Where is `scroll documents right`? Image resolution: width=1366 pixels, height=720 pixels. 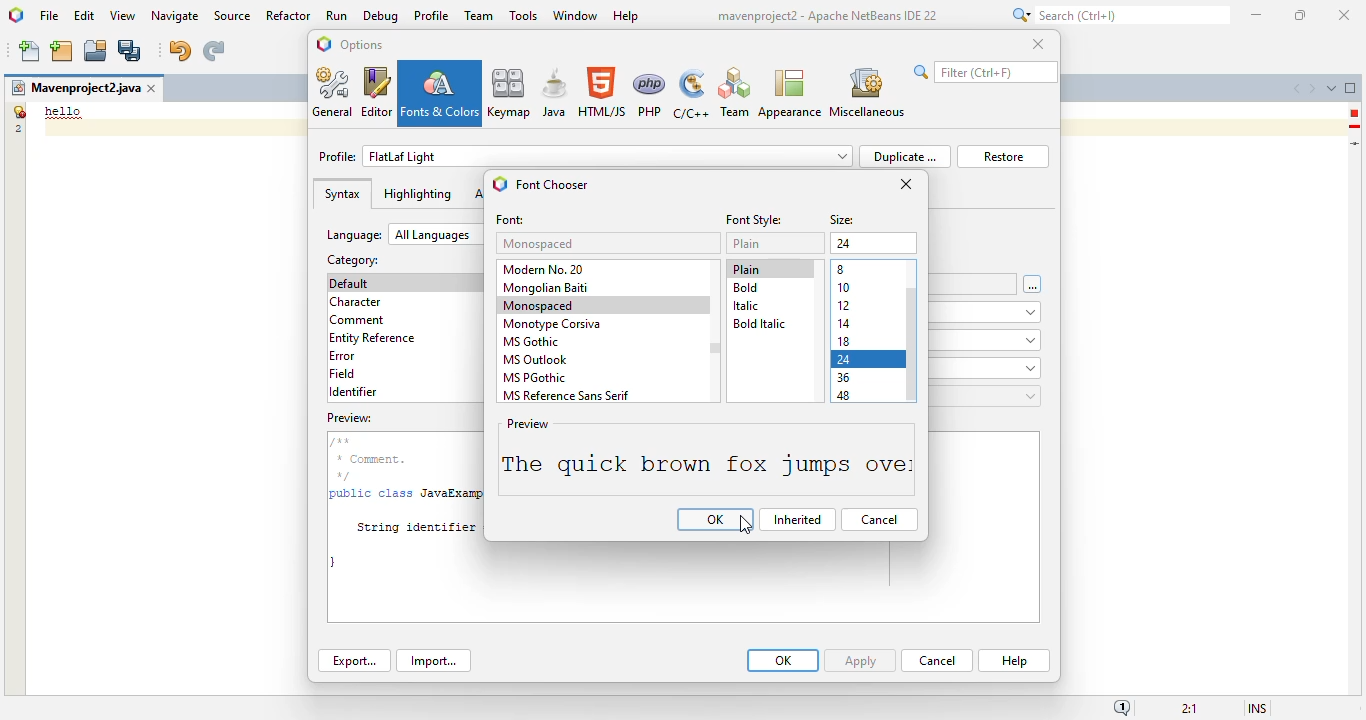 scroll documents right is located at coordinates (1311, 89).